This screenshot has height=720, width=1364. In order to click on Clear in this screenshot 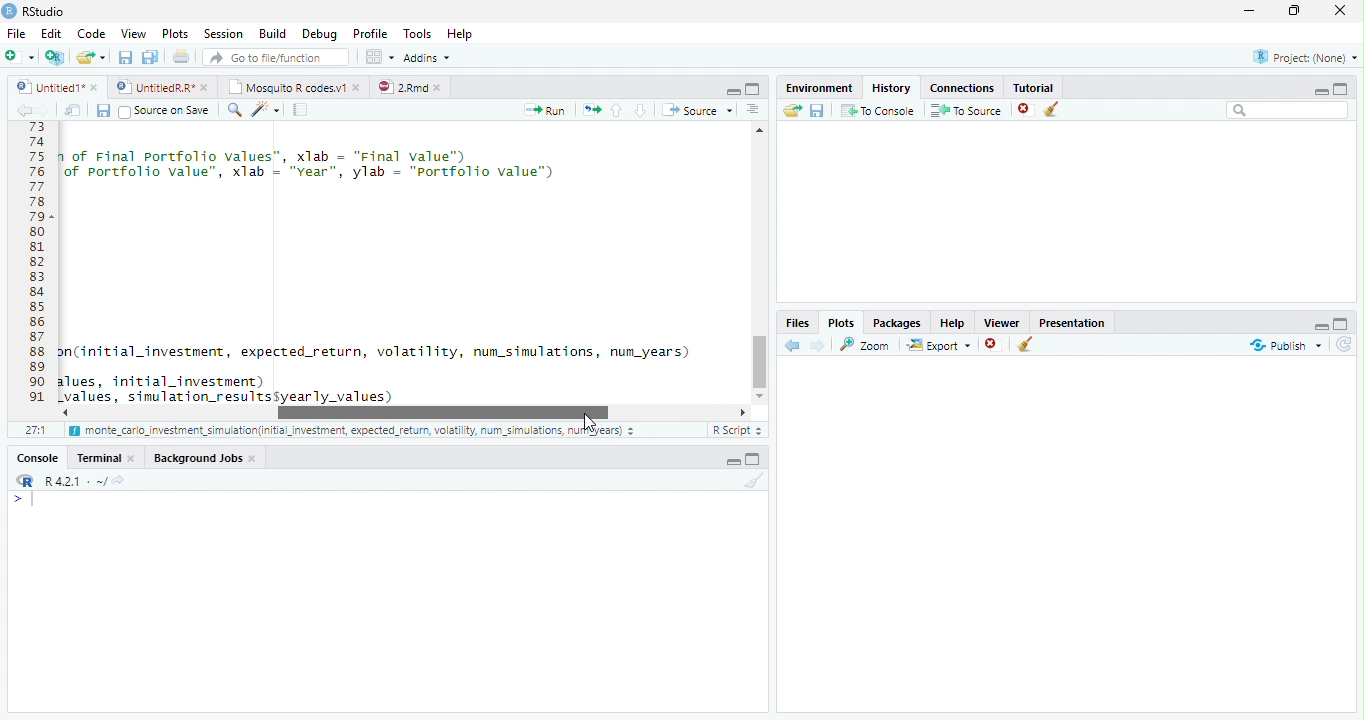, I will do `click(1056, 110)`.